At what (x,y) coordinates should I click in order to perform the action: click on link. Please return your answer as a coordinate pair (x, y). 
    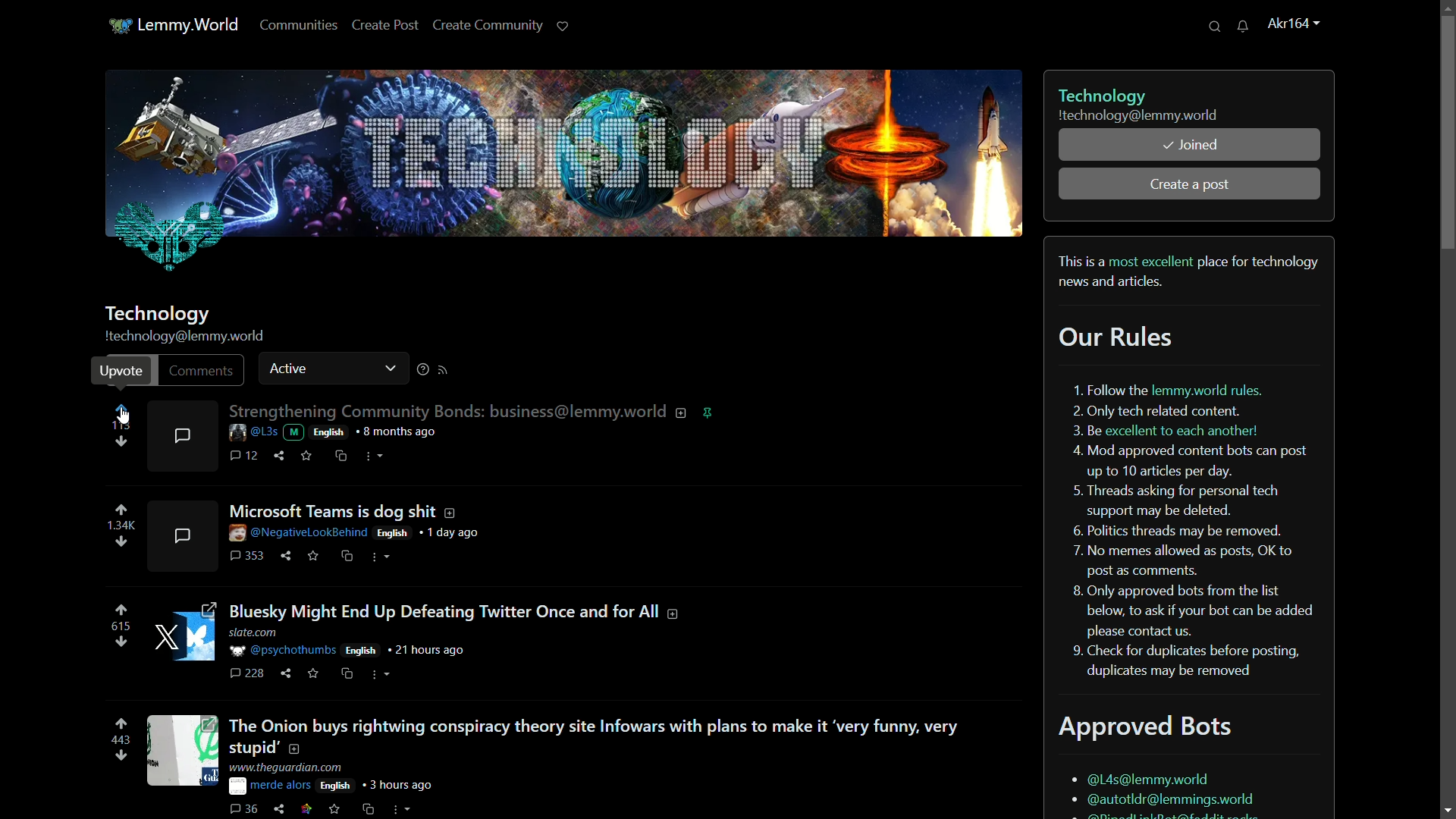
    Looking at the image, I should click on (307, 804).